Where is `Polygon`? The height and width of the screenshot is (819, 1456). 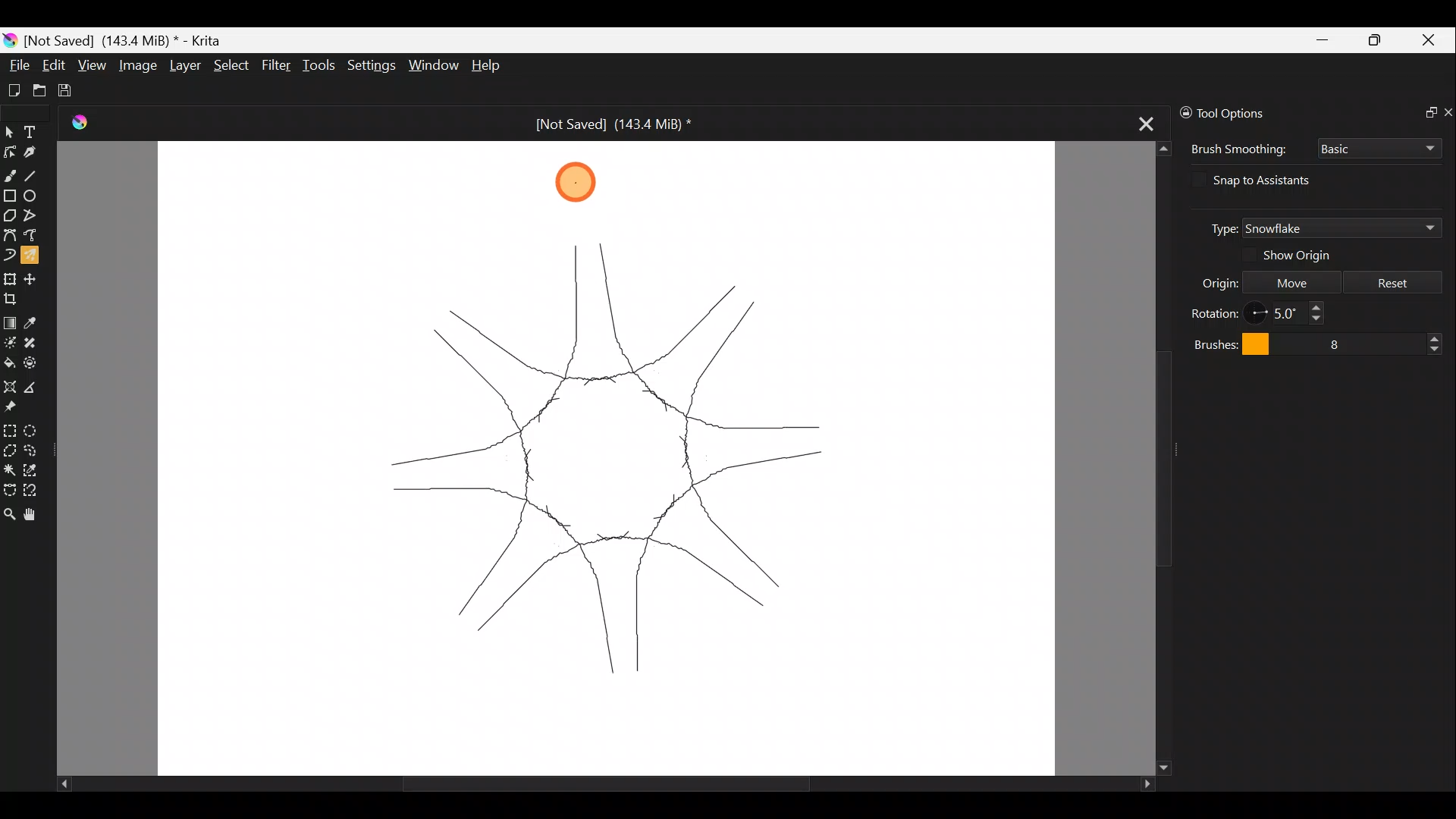
Polygon is located at coordinates (9, 215).